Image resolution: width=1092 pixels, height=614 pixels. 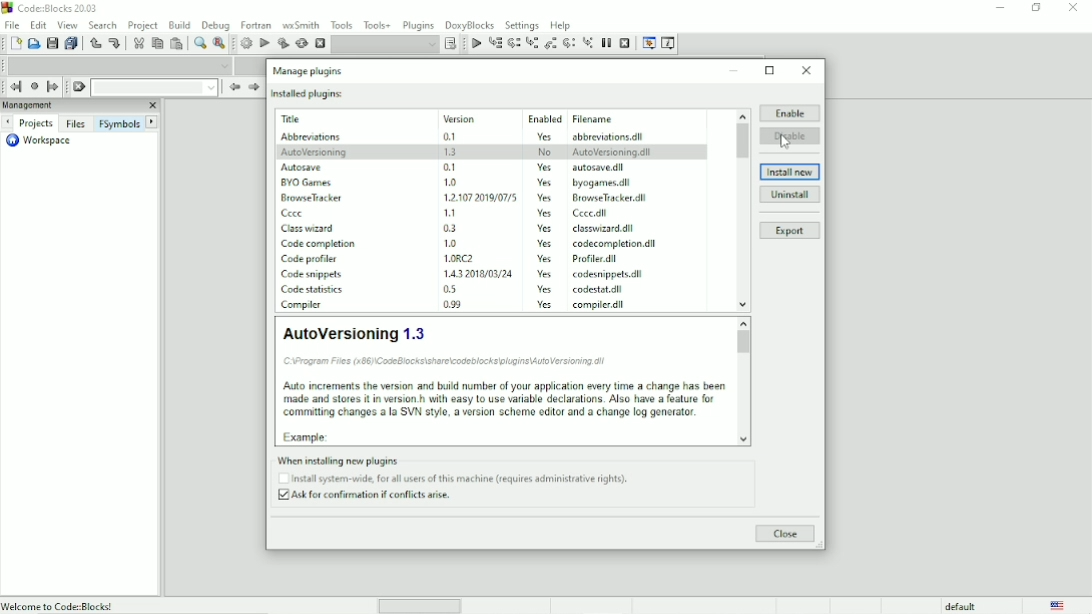 What do you see at coordinates (180, 23) in the screenshot?
I see `Build` at bounding box center [180, 23].